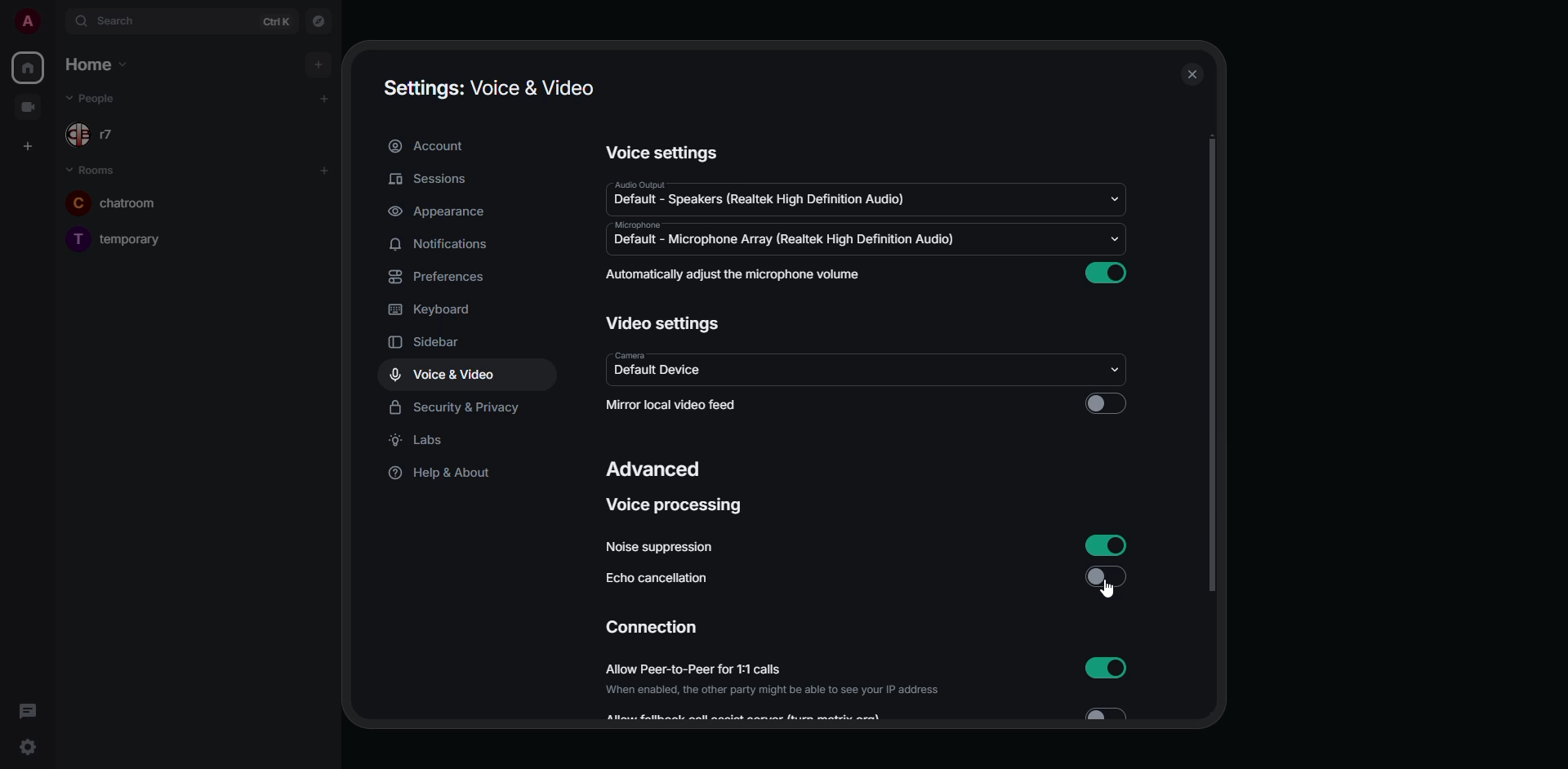 The image size is (1568, 769). I want to click on sidebar, so click(443, 344).